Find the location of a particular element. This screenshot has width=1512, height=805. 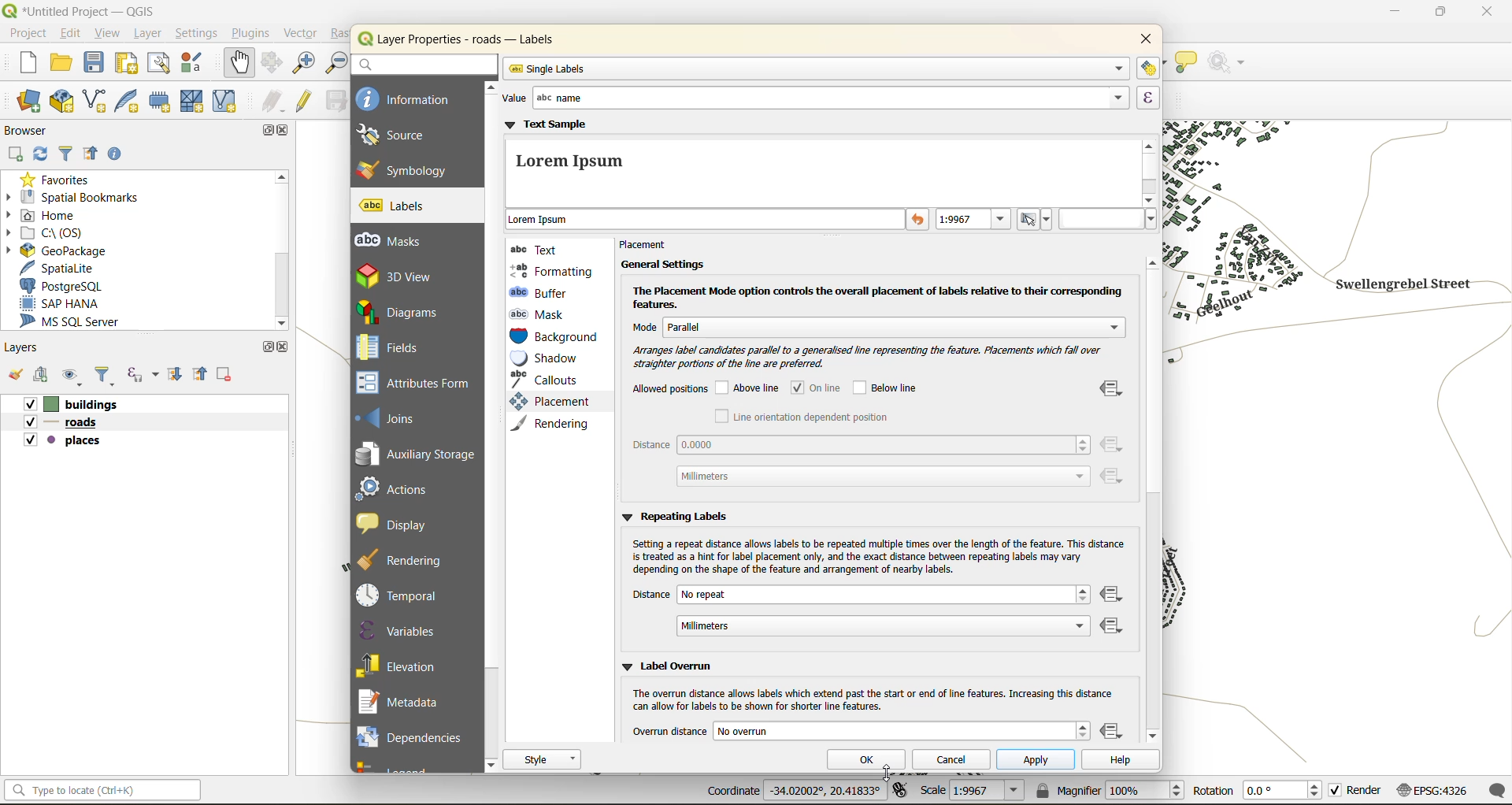

below line is located at coordinates (891, 388).